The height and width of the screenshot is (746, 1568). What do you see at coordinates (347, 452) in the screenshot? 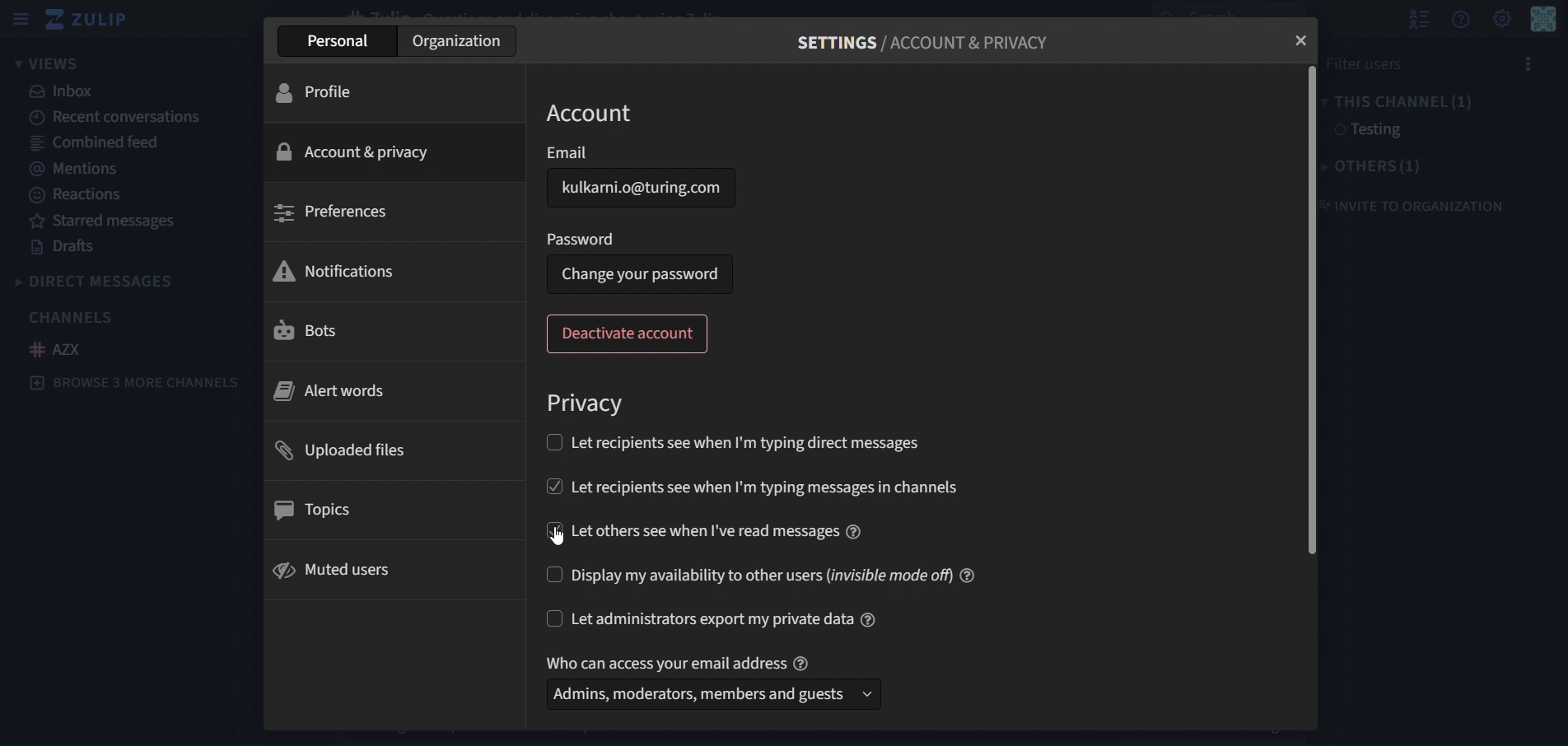
I see `uploadedfiles` at bounding box center [347, 452].